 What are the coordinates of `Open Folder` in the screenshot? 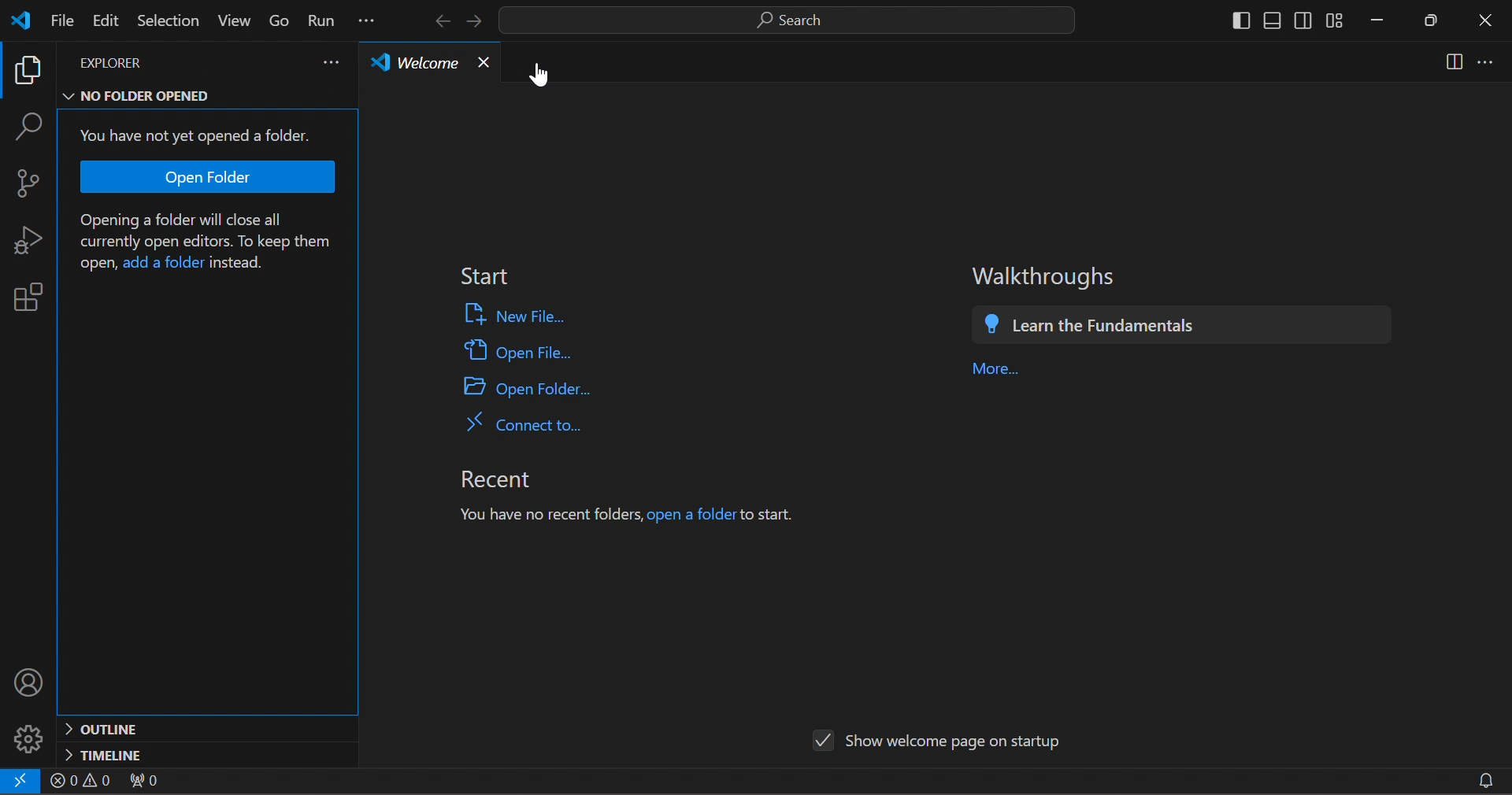 It's located at (543, 388).